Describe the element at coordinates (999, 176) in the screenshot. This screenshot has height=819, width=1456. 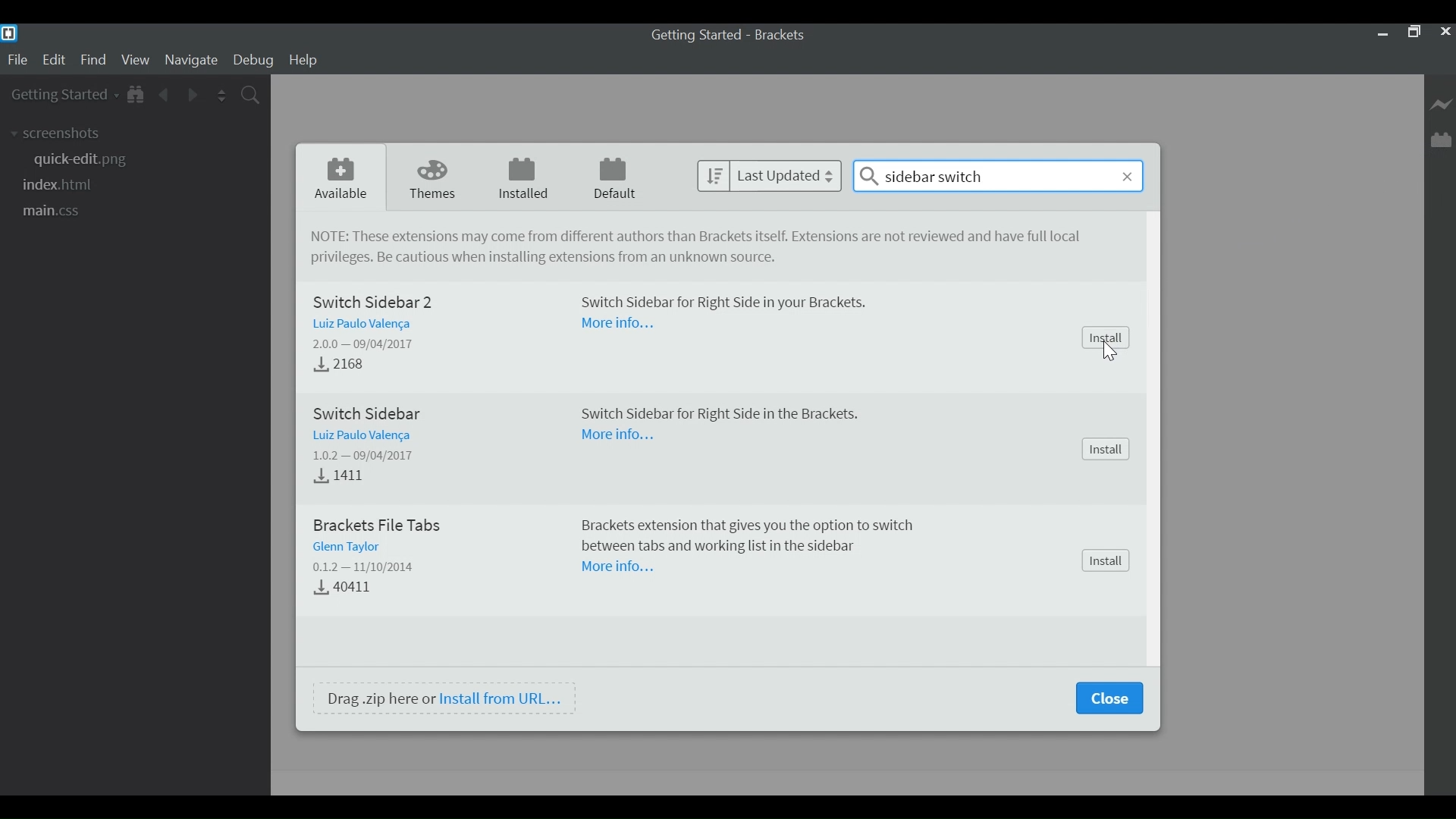
I see `sidebar switch` at that location.